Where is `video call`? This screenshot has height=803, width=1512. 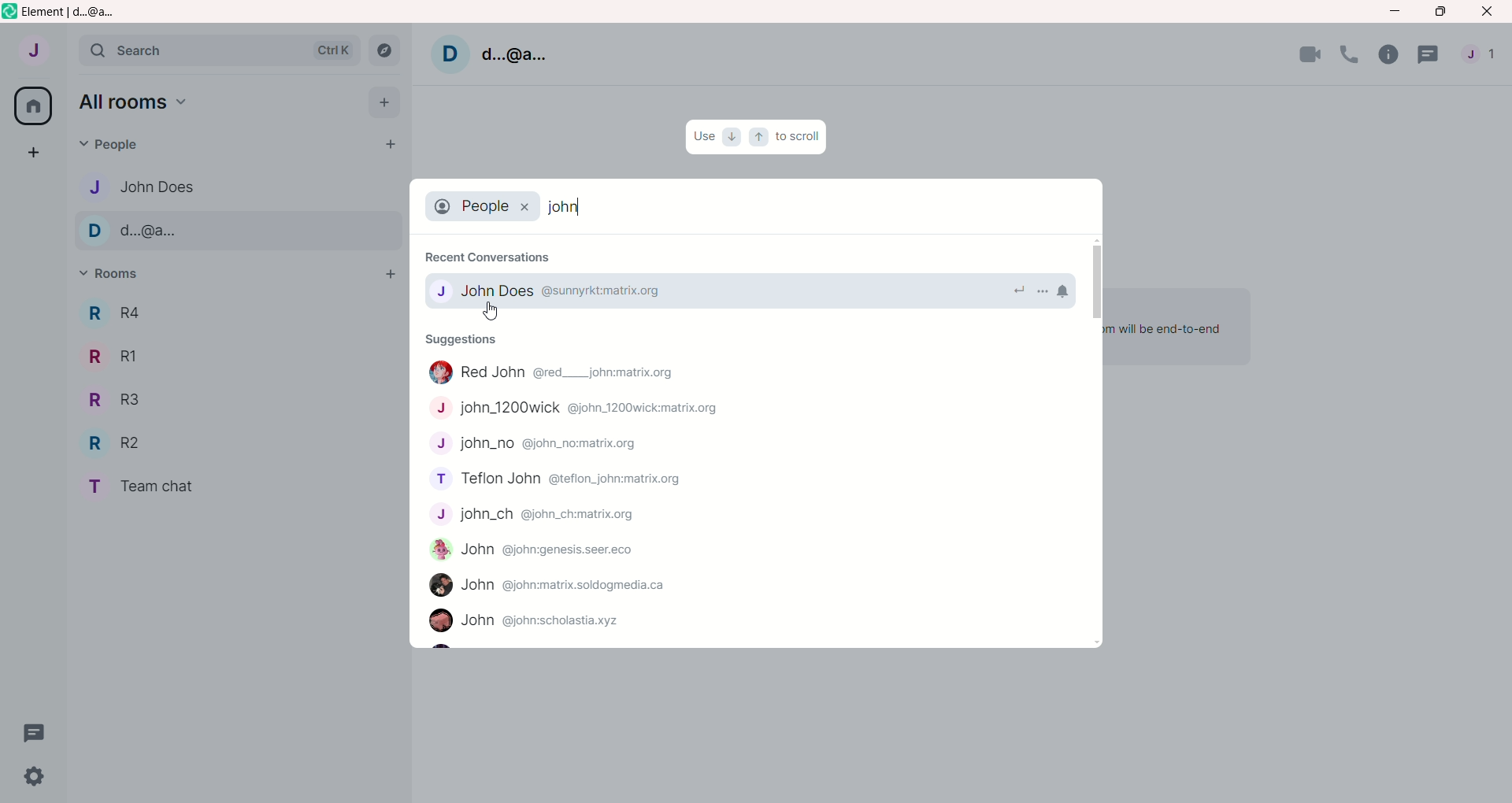
video call is located at coordinates (1310, 54).